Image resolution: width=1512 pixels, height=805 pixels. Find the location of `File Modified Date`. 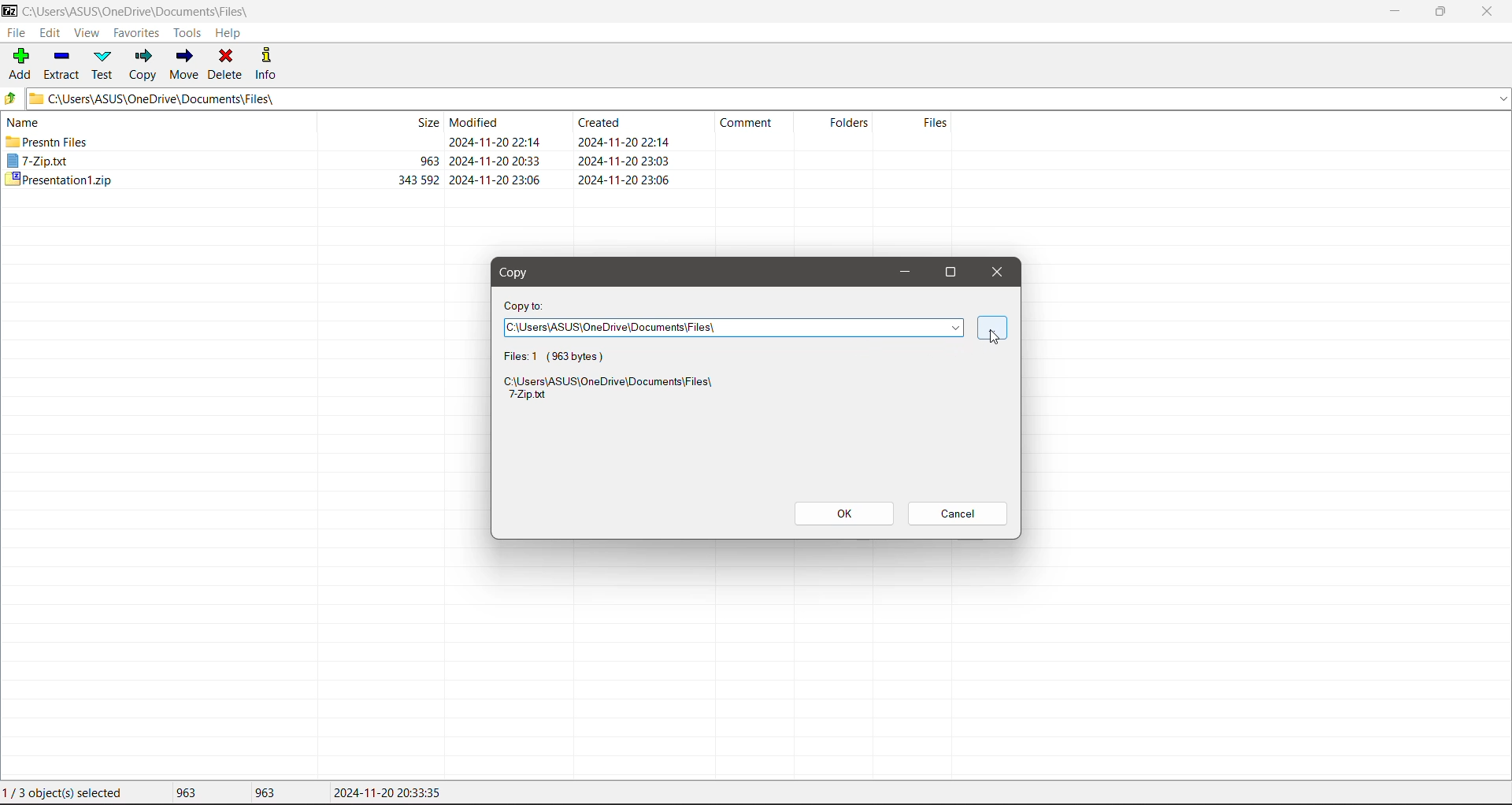

File Modified Date is located at coordinates (498, 151).